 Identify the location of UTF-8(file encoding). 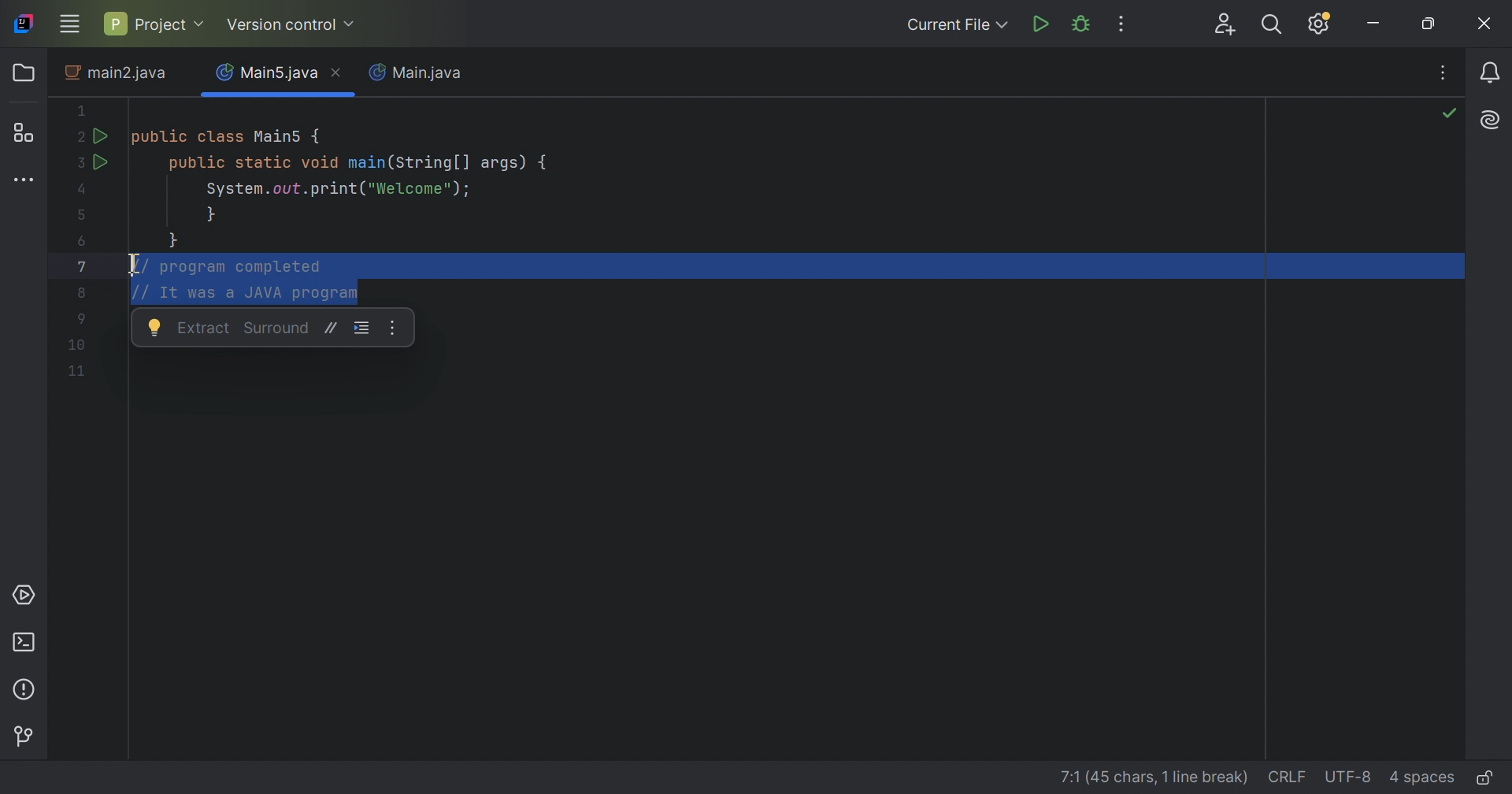
(1347, 777).